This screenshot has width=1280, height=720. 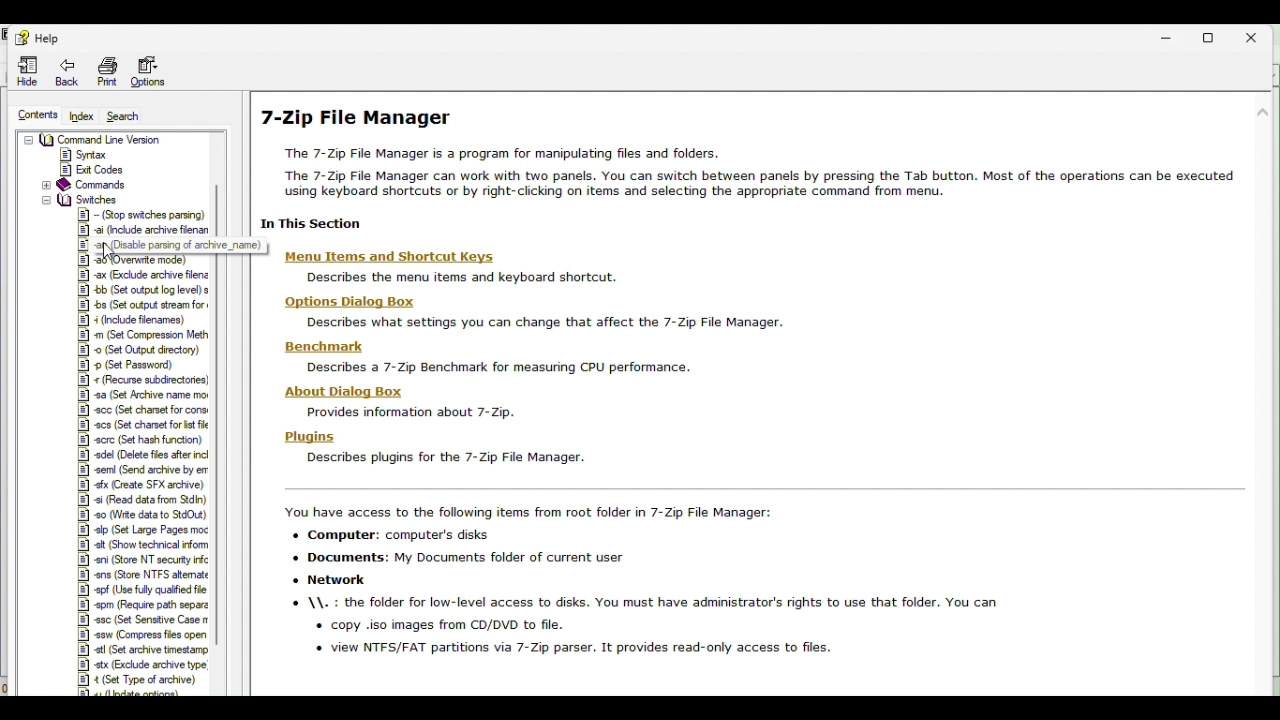 What do you see at coordinates (142, 409) in the screenshot?
I see `|B] ecc (Set charset for cons` at bounding box center [142, 409].